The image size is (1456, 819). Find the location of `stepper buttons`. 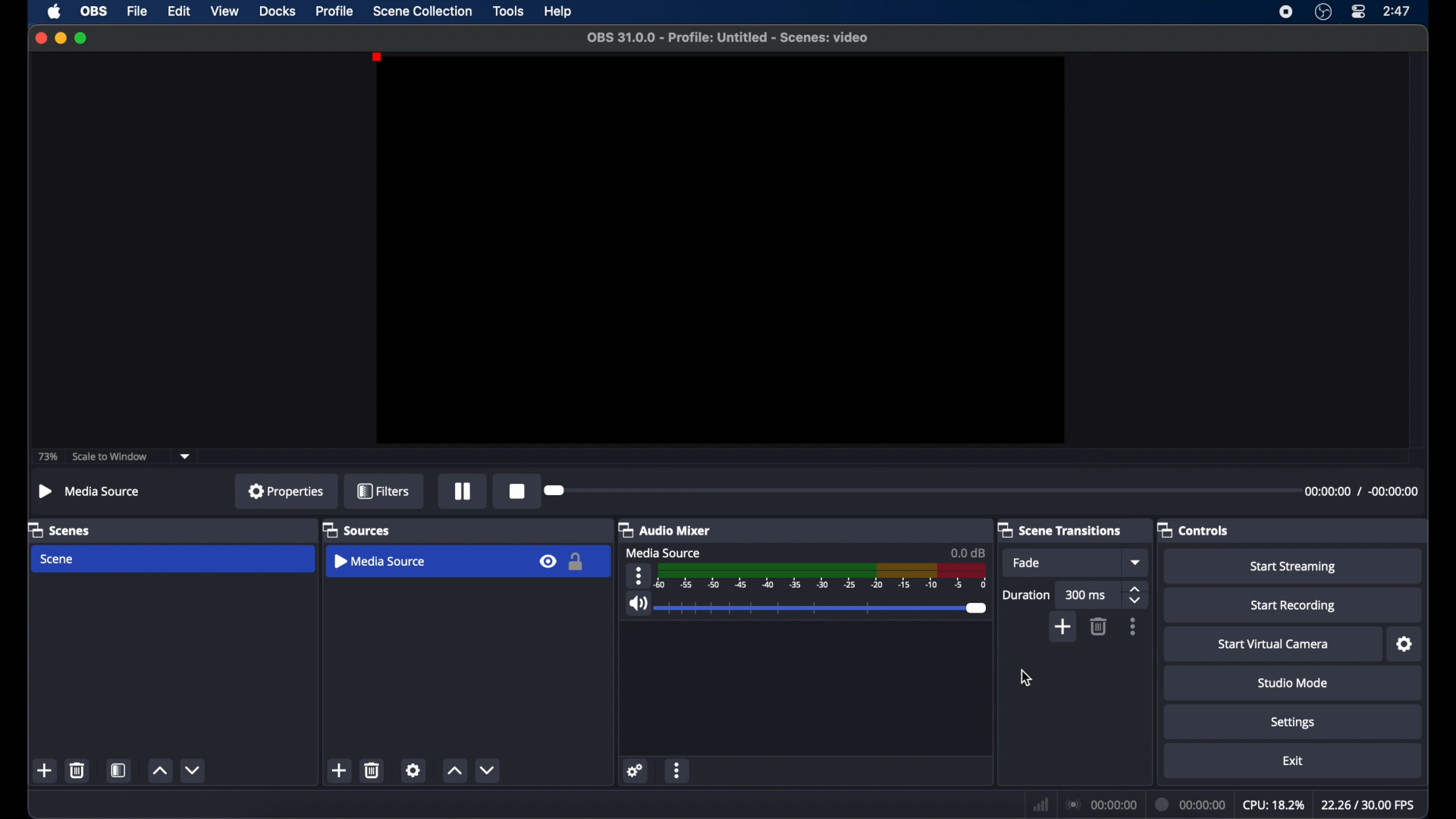

stepper buttons is located at coordinates (1137, 595).